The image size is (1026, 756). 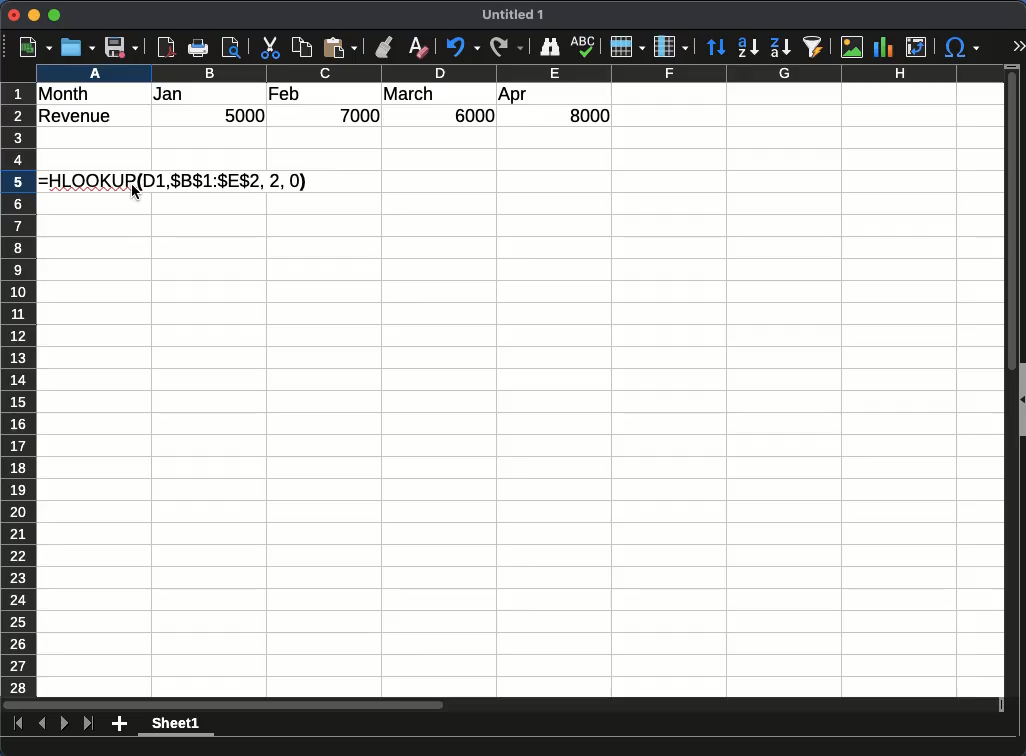 I want to click on clone formatting, so click(x=383, y=47).